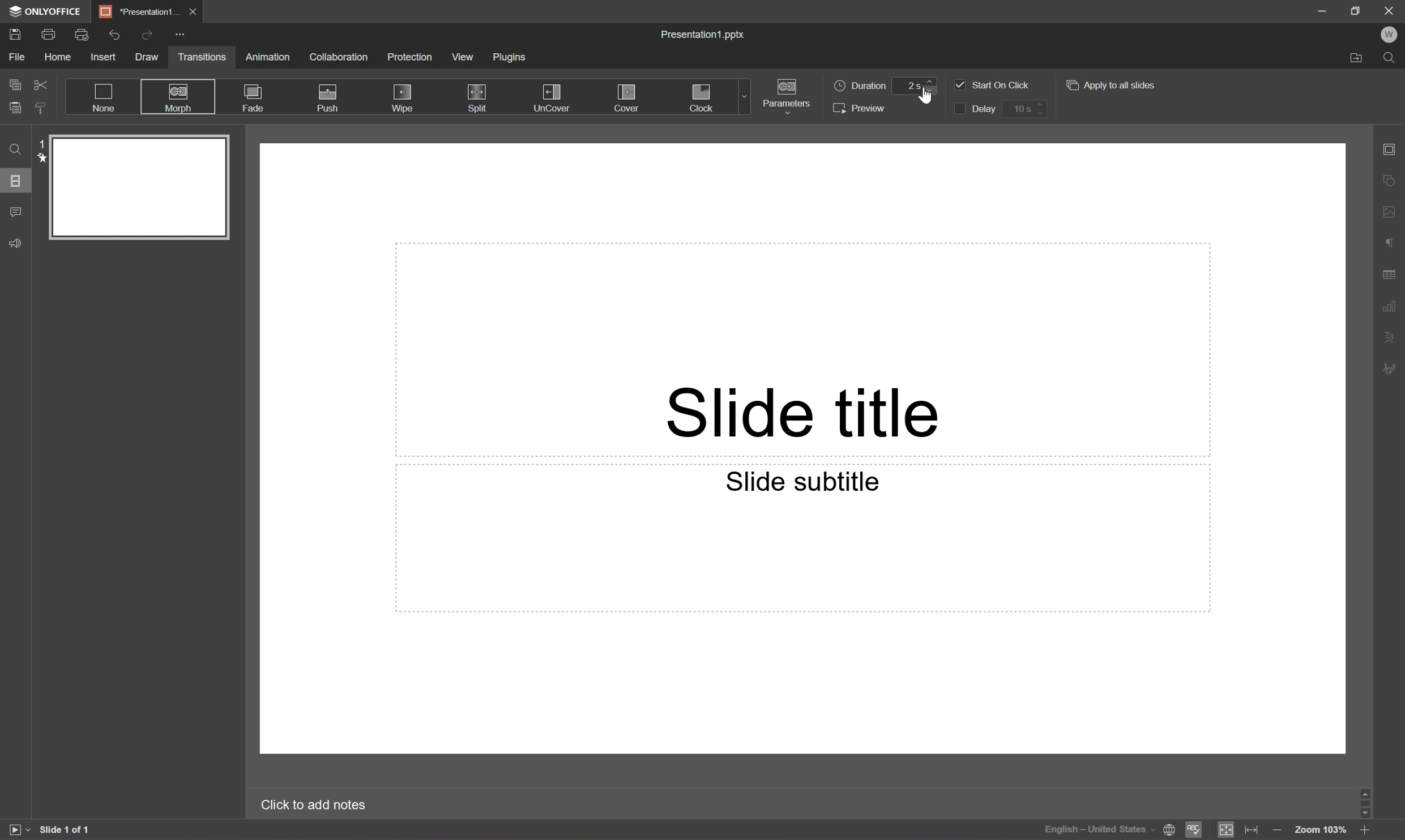 This screenshot has height=840, width=1405. I want to click on Copy, so click(15, 83).